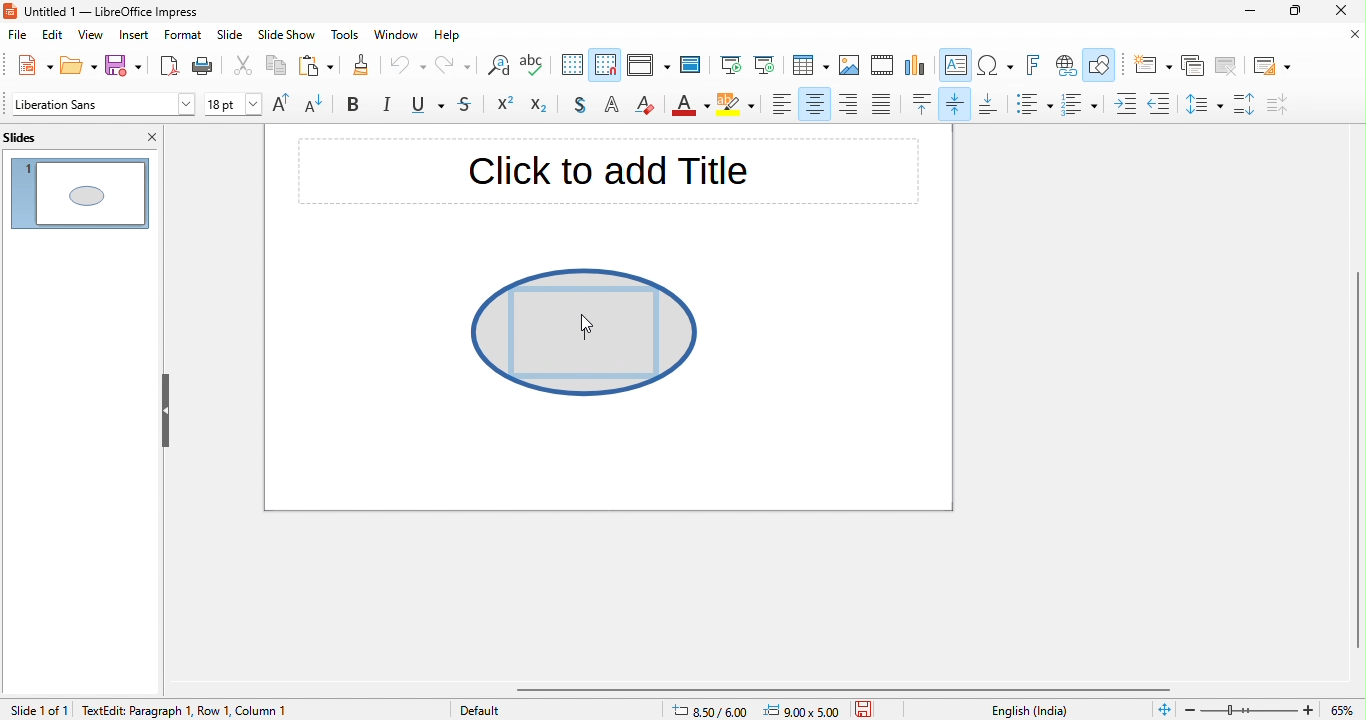 This screenshot has width=1366, height=720. I want to click on slide show, so click(287, 37).